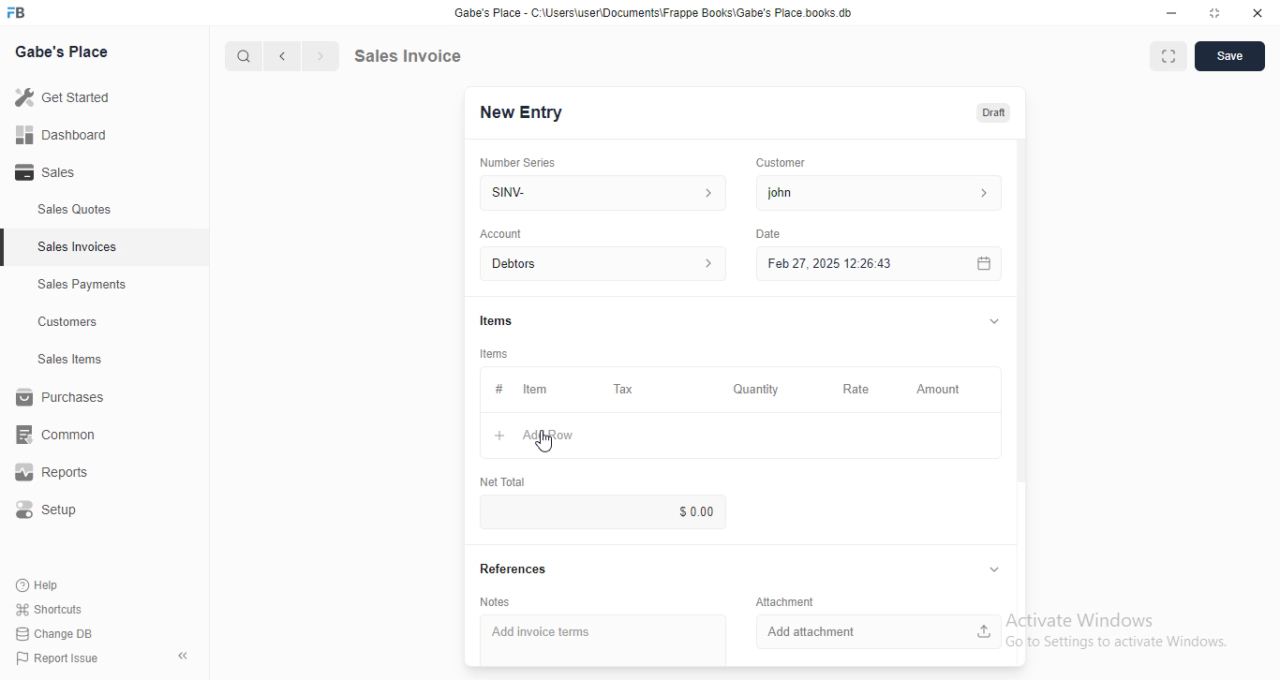 The image size is (1280, 680). I want to click on Items, so click(496, 352).